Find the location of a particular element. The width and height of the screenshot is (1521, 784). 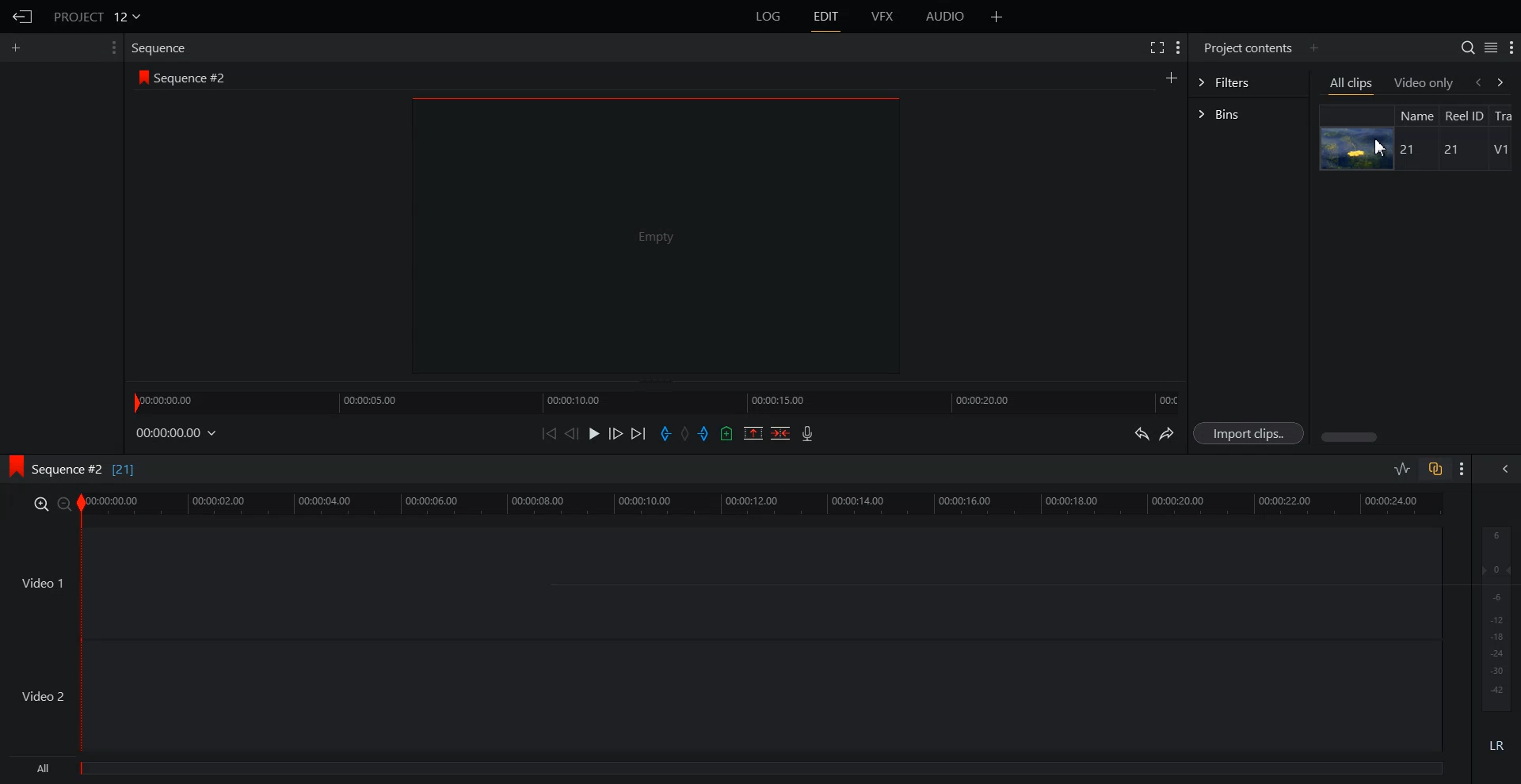

Project 12 is located at coordinates (96, 15).